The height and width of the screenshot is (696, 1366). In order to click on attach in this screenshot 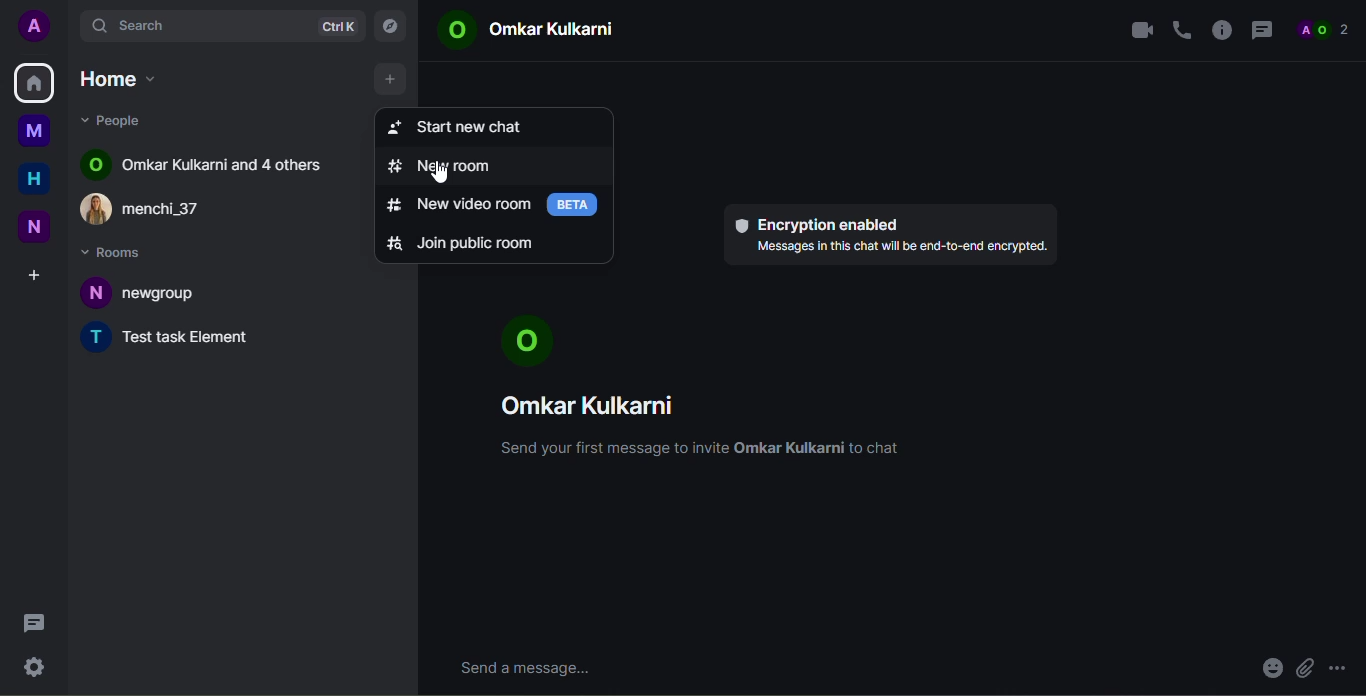, I will do `click(1304, 669)`.